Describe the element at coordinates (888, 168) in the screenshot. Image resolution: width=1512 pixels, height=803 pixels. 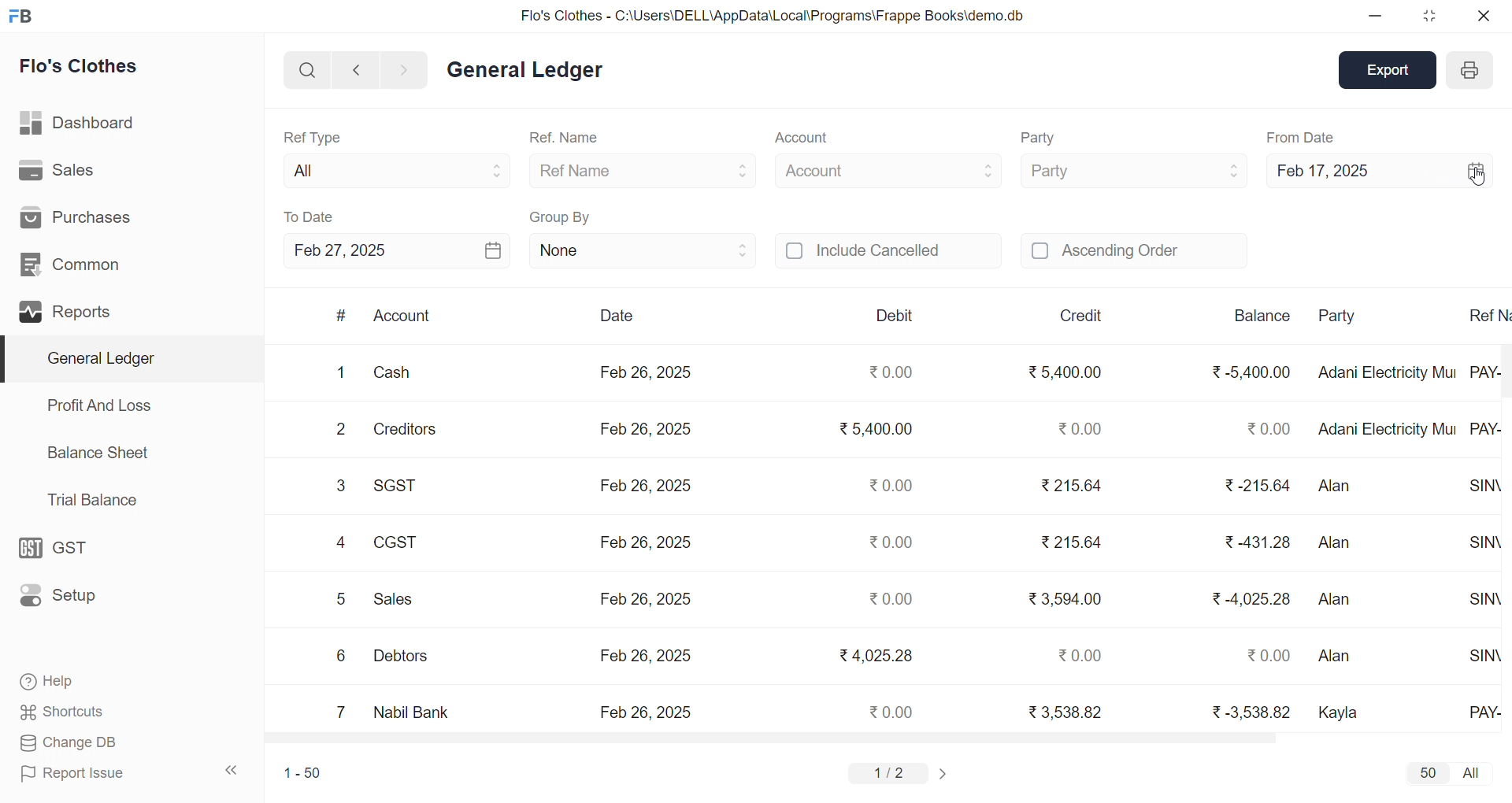
I see `Account` at that location.